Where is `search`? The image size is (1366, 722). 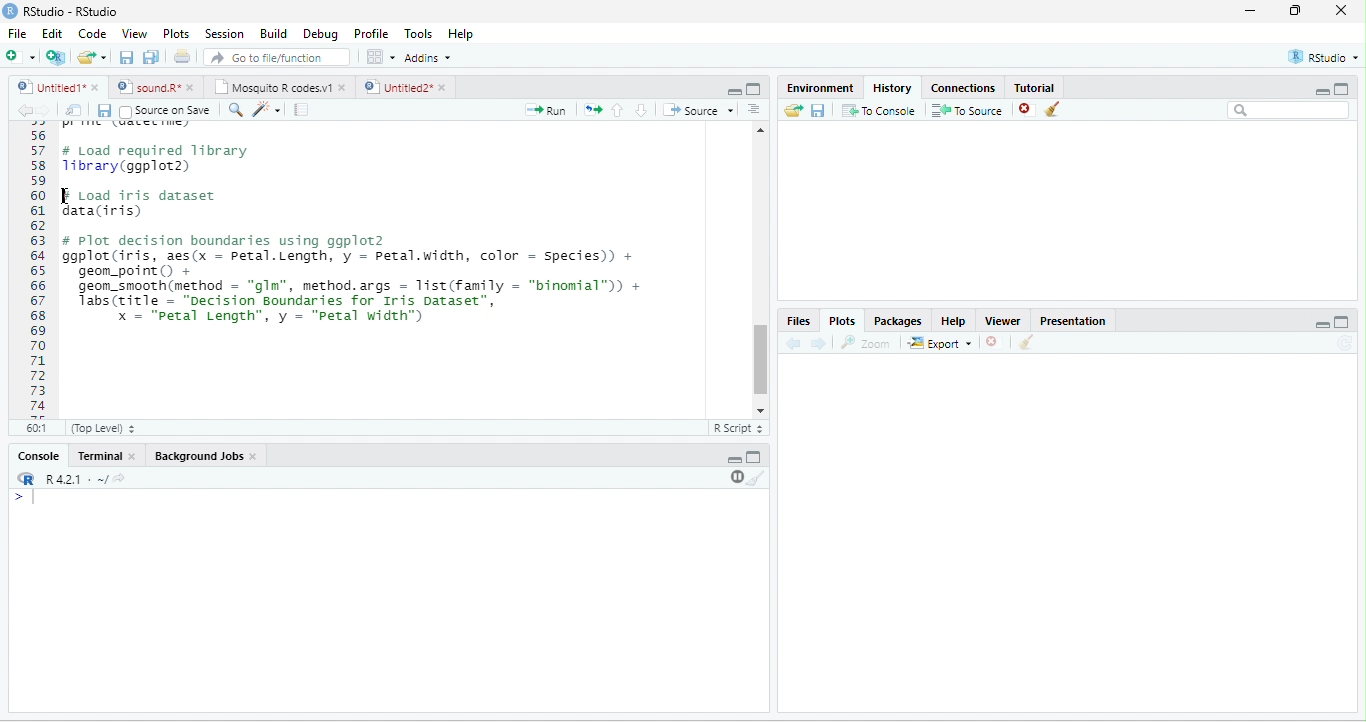 search is located at coordinates (234, 110).